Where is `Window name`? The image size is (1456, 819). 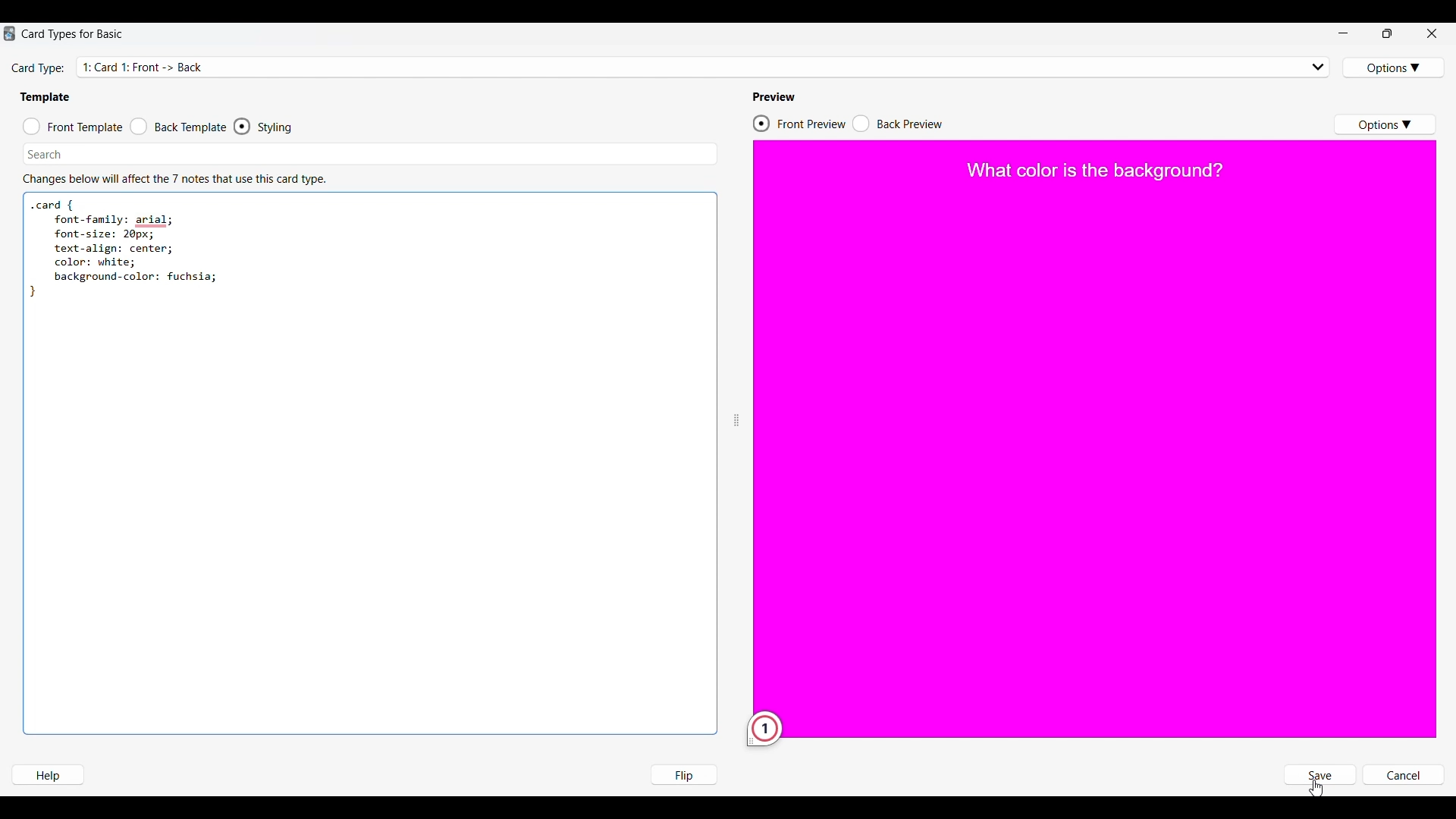
Window name is located at coordinates (74, 34).